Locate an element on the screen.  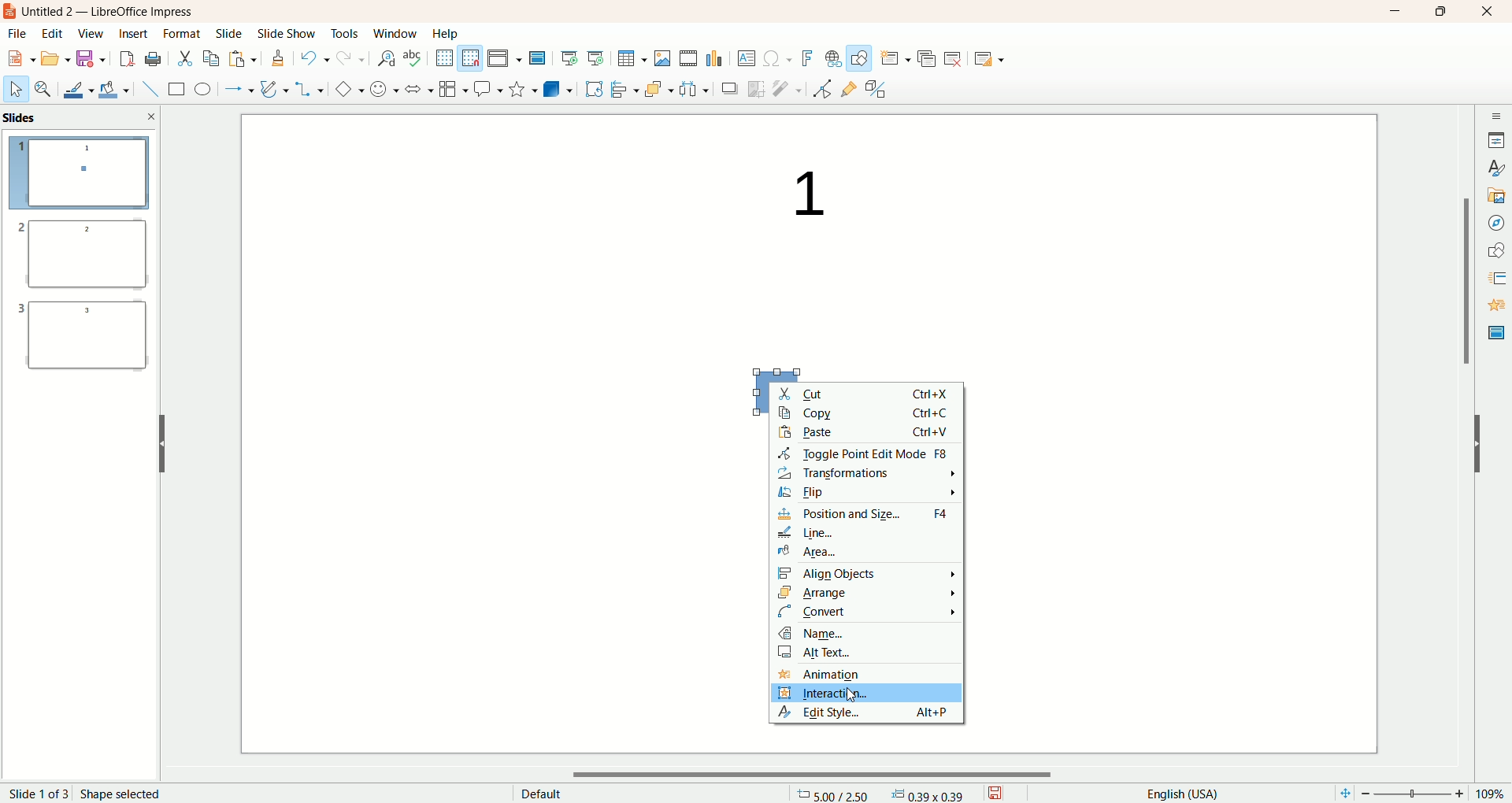
line is located at coordinates (862, 533).